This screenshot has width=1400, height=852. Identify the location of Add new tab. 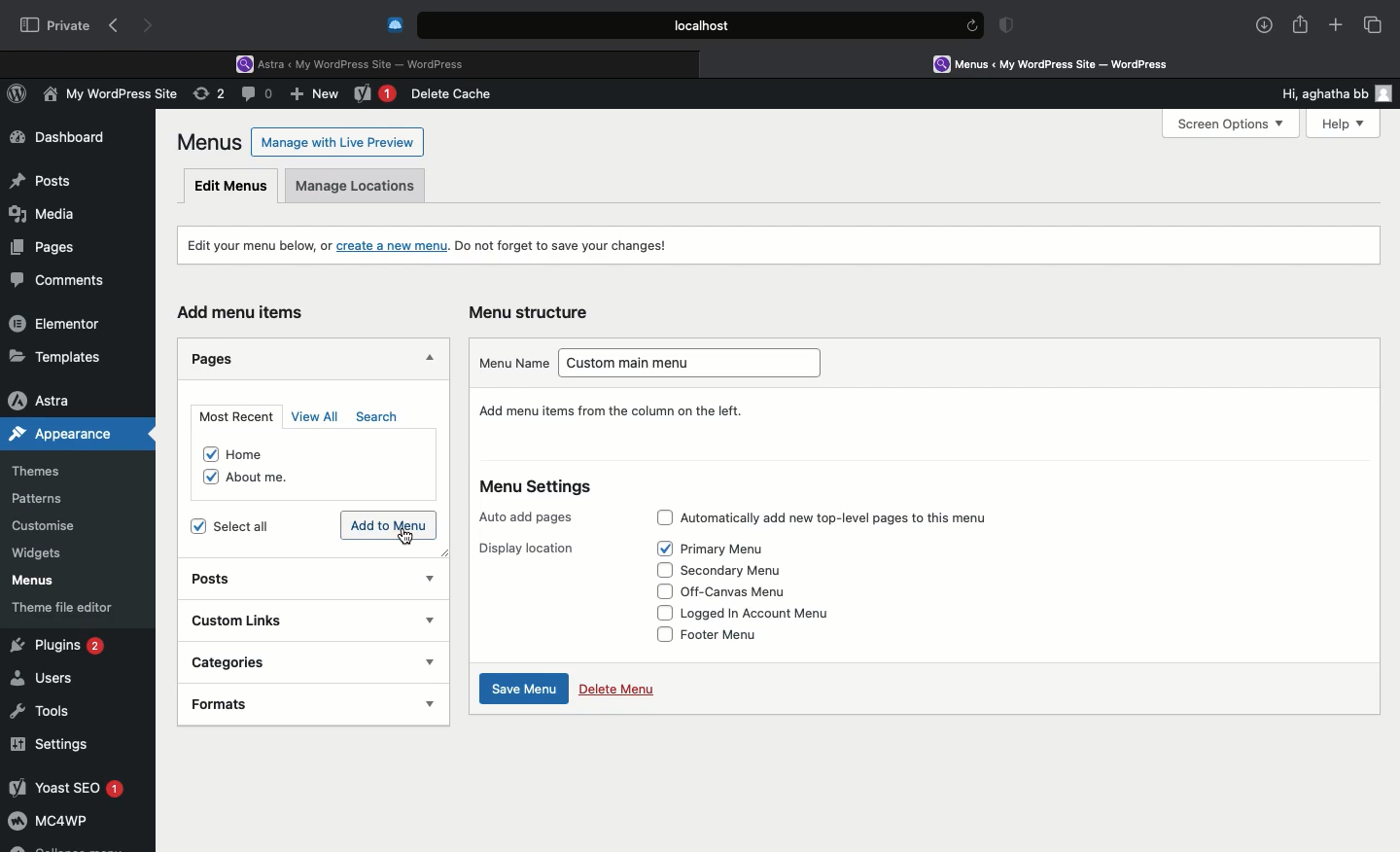
(1336, 28).